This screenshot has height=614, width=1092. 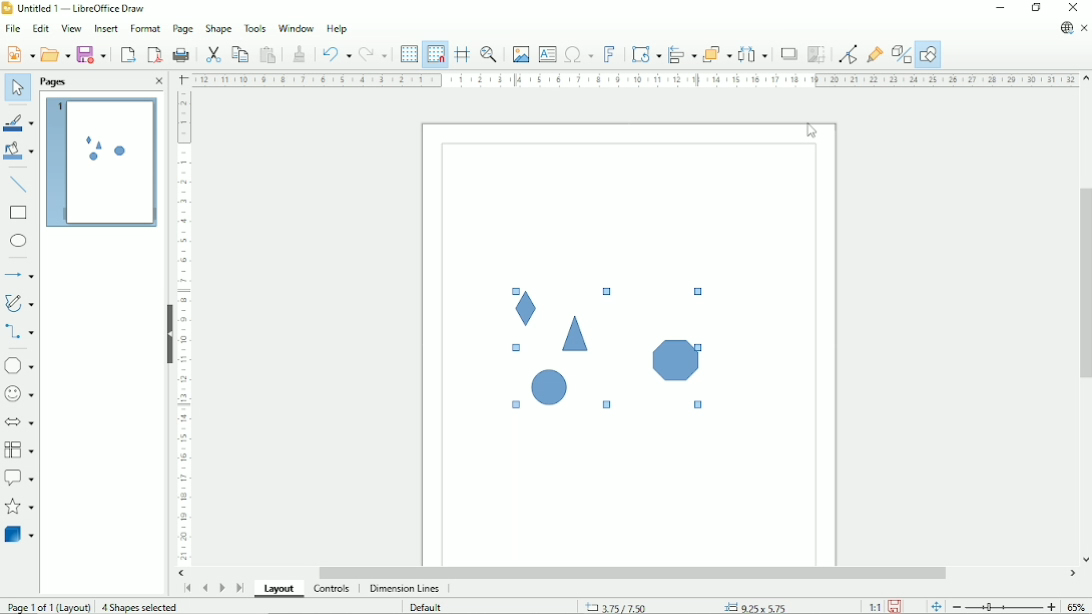 I want to click on rectangle, so click(x=18, y=213).